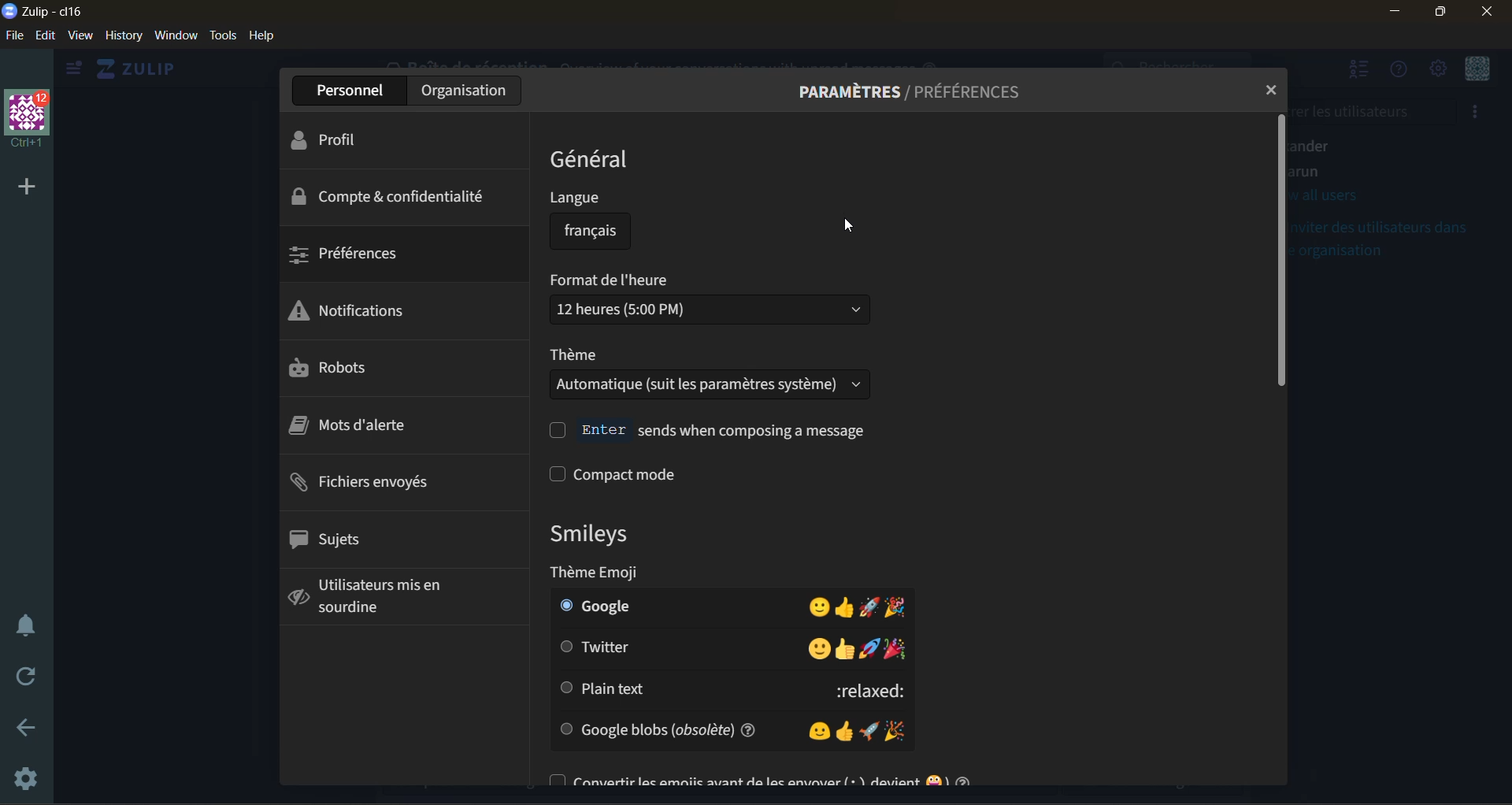 The image size is (1512, 805). What do you see at coordinates (28, 776) in the screenshot?
I see `settings` at bounding box center [28, 776].